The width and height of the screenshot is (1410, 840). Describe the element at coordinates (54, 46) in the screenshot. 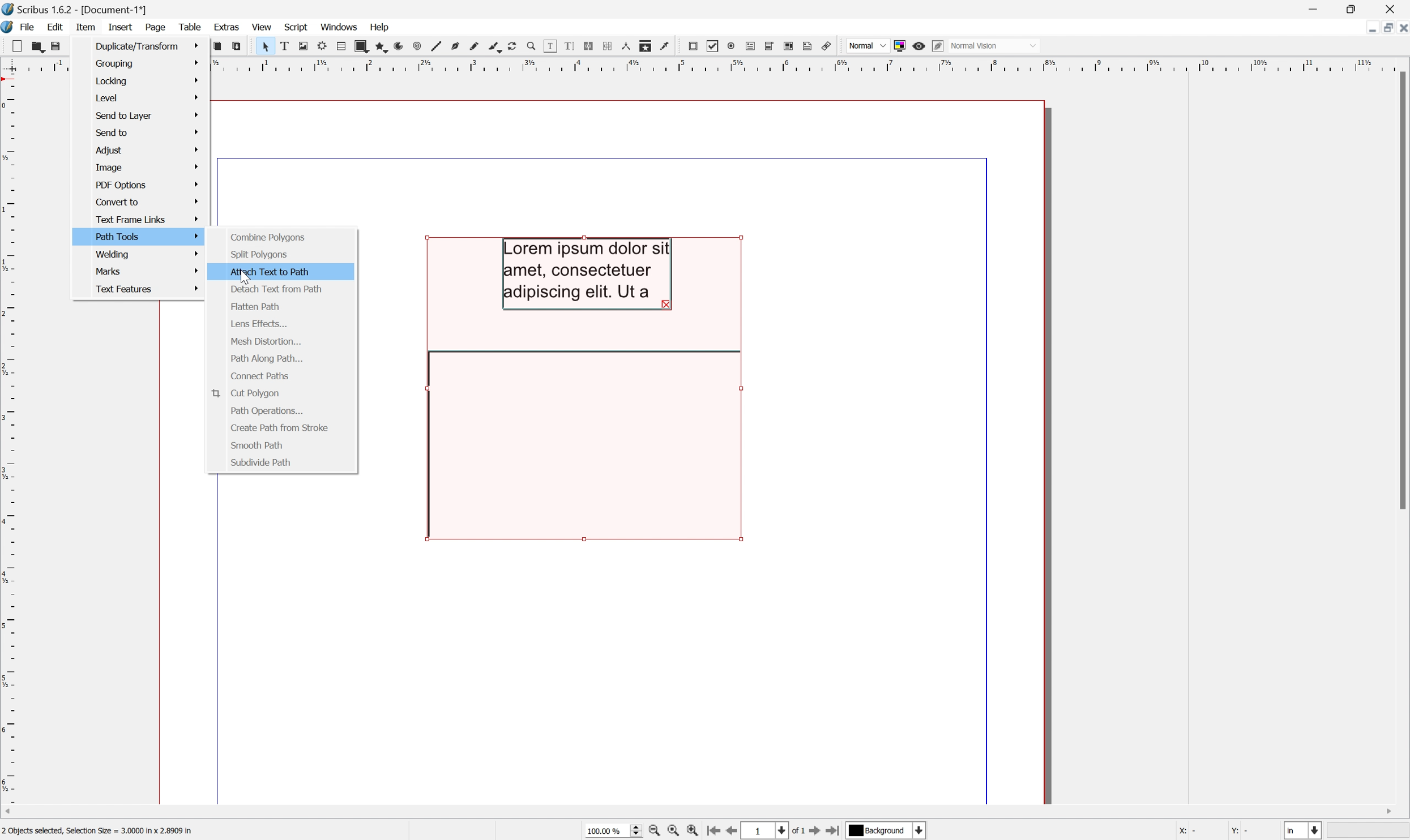

I see `Save` at that location.